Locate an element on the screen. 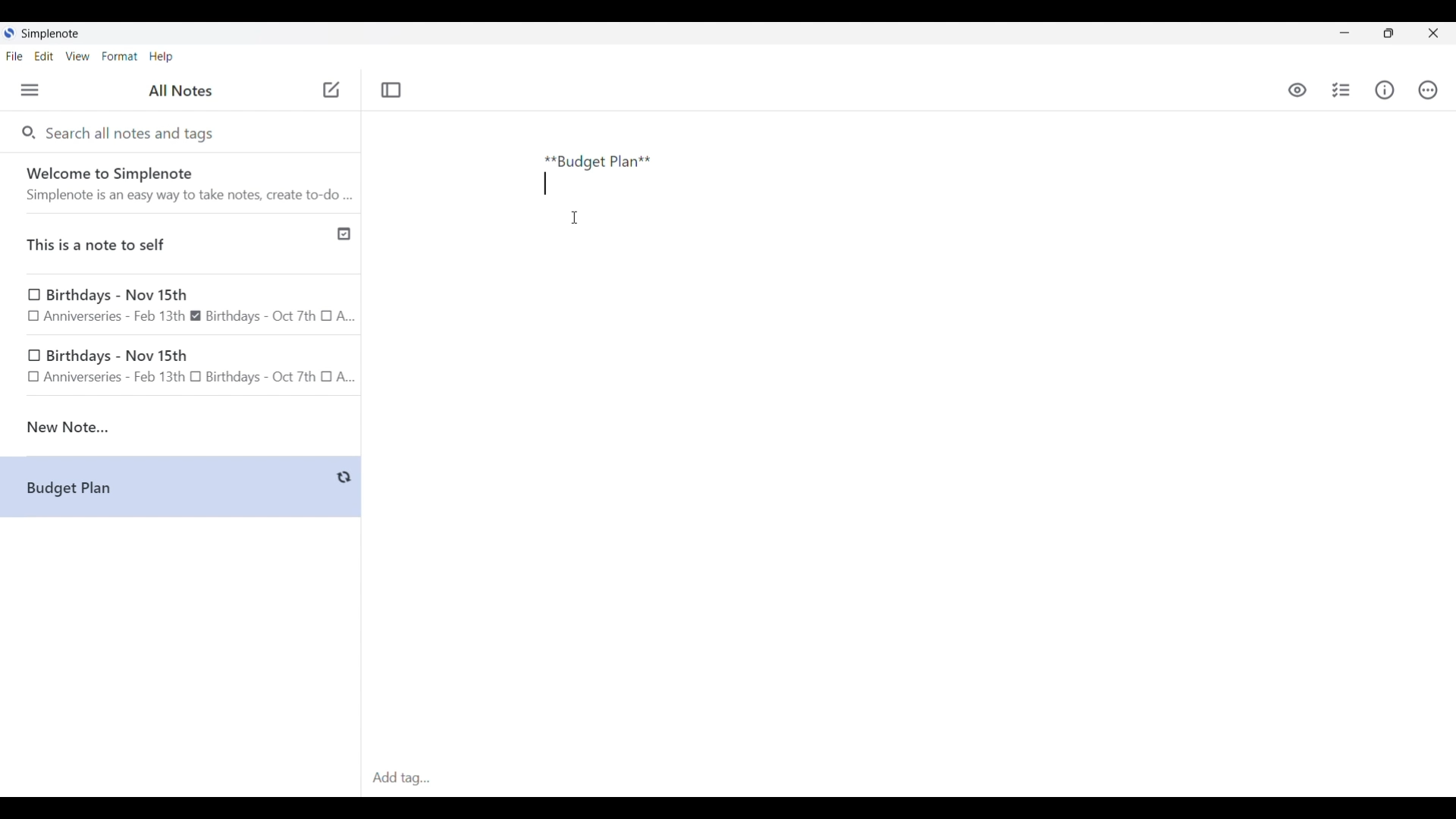  Click to type in tags is located at coordinates (908, 779).